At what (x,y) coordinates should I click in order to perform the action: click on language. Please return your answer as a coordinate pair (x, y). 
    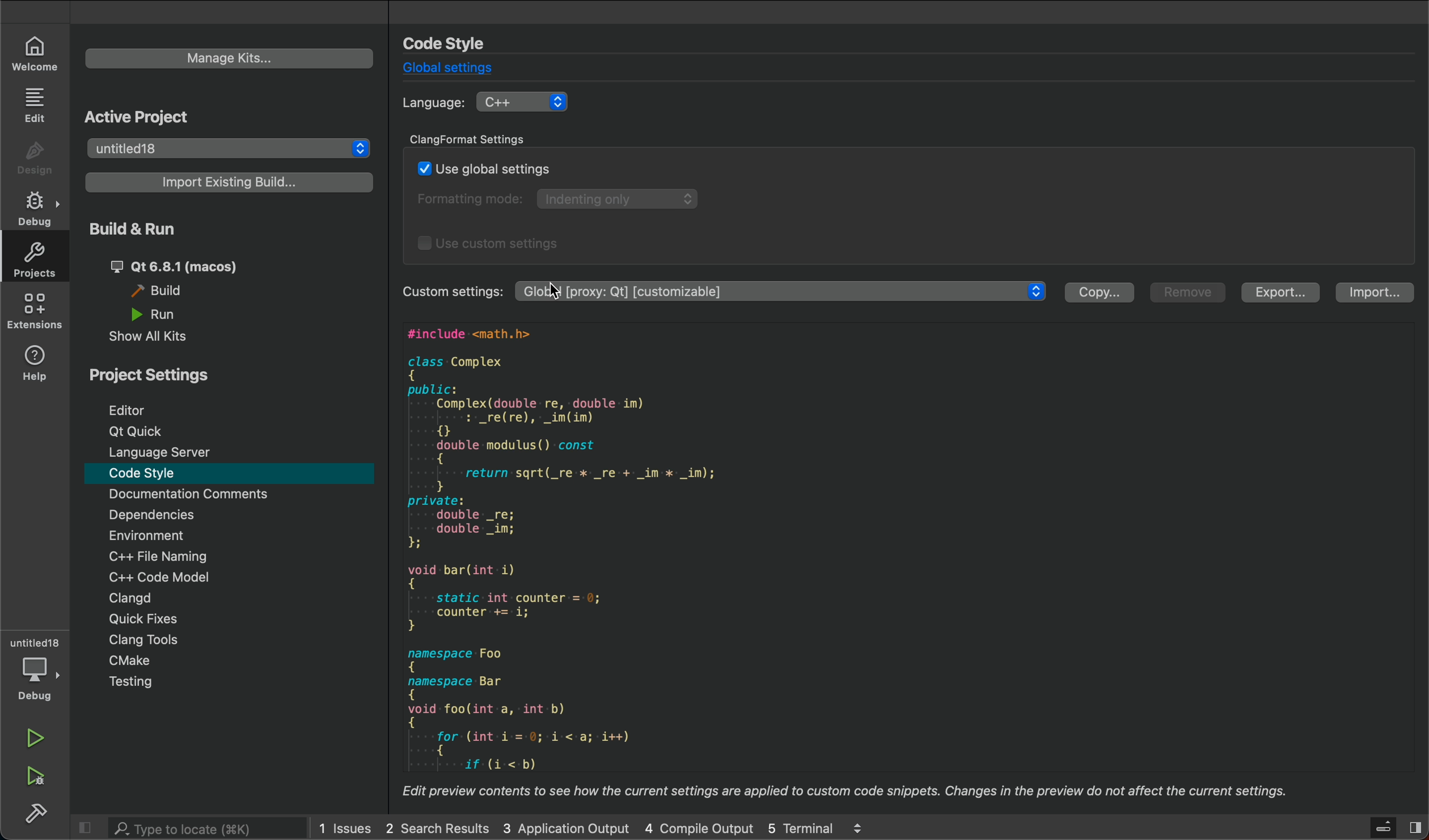
    Looking at the image, I should click on (433, 103).